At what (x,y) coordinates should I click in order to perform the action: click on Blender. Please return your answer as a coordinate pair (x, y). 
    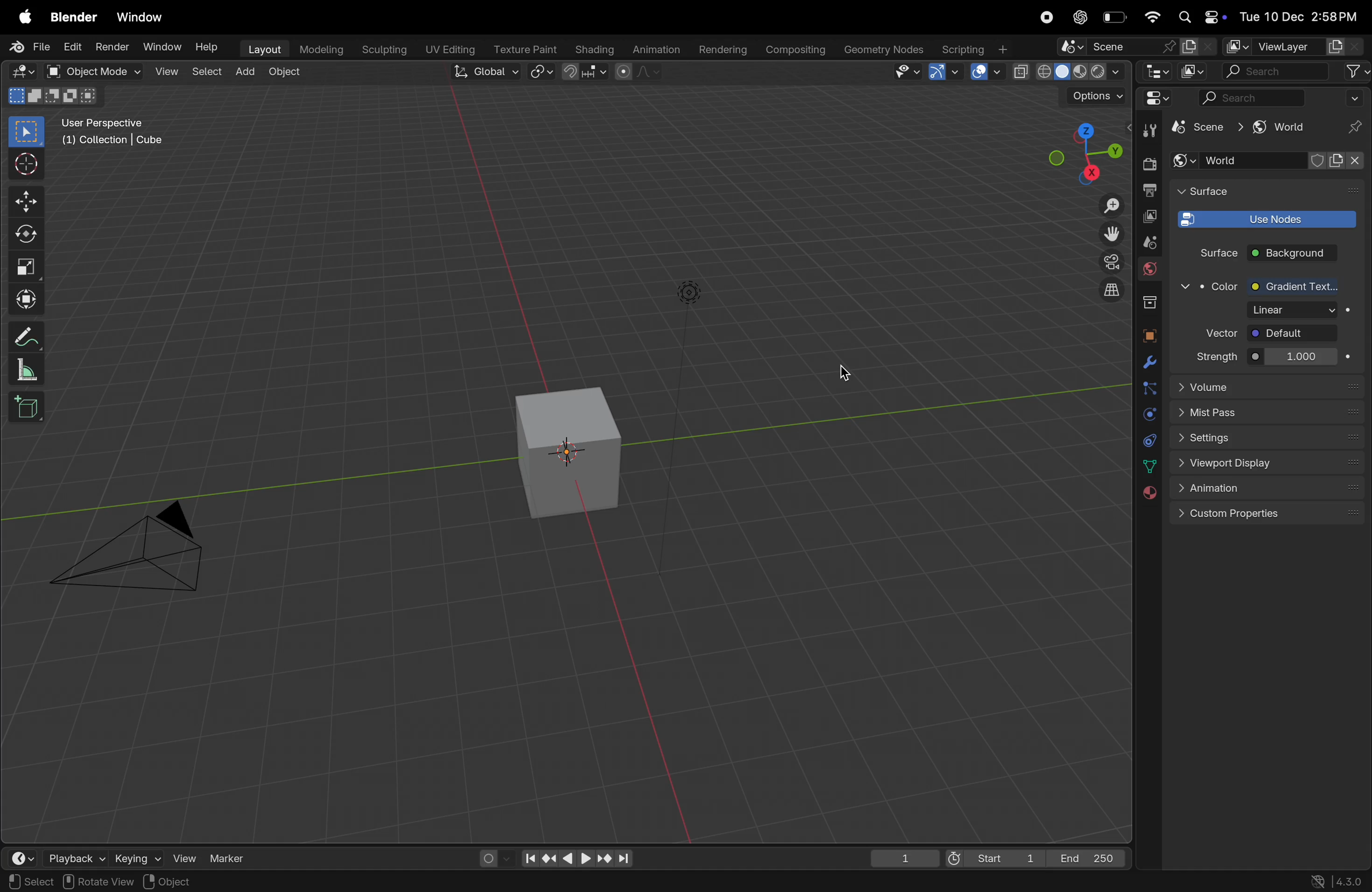
    Looking at the image, I should click on (74, 18).